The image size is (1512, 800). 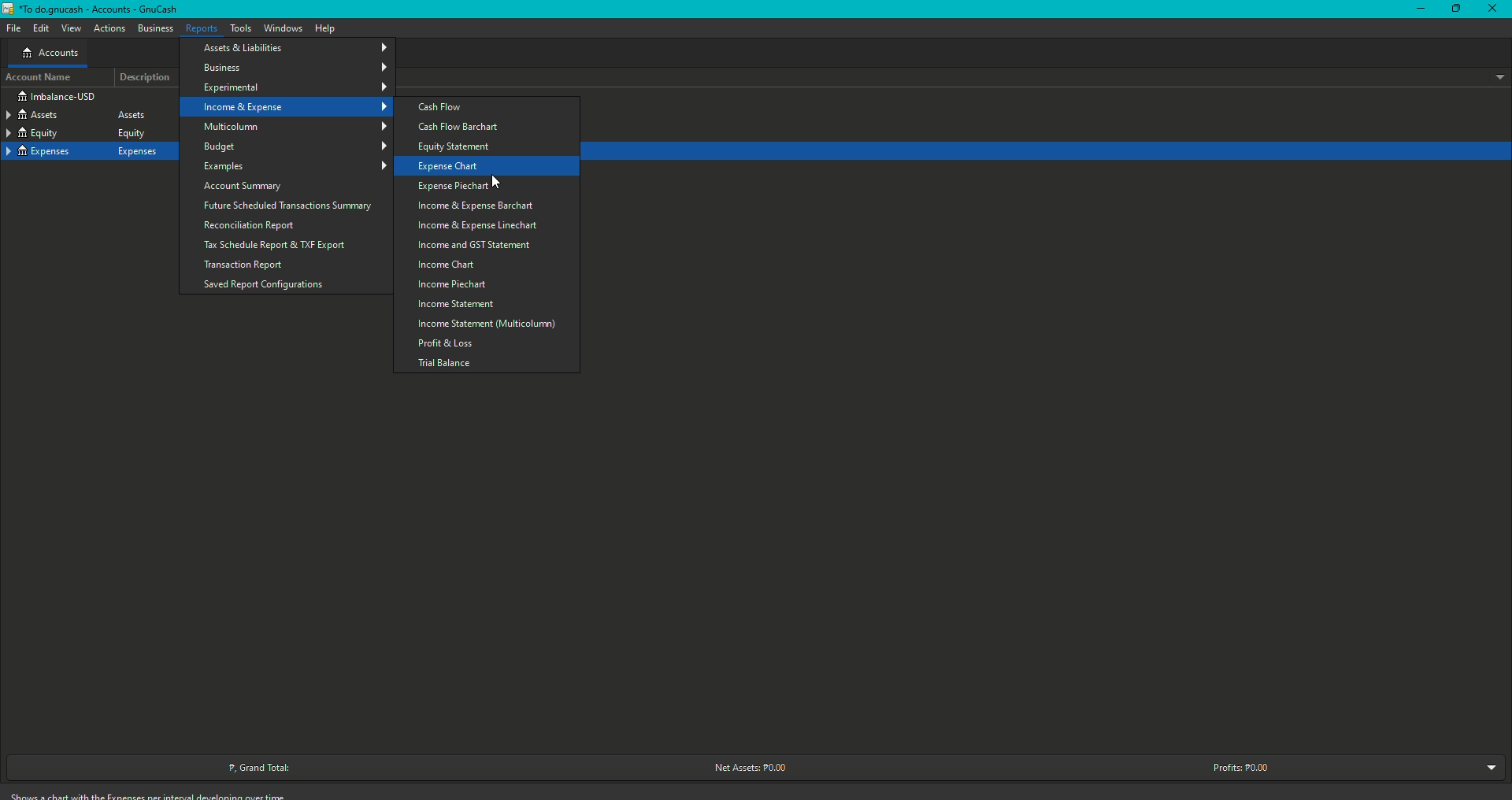 I want to click on Description for current action, so click(x=150, y=794).